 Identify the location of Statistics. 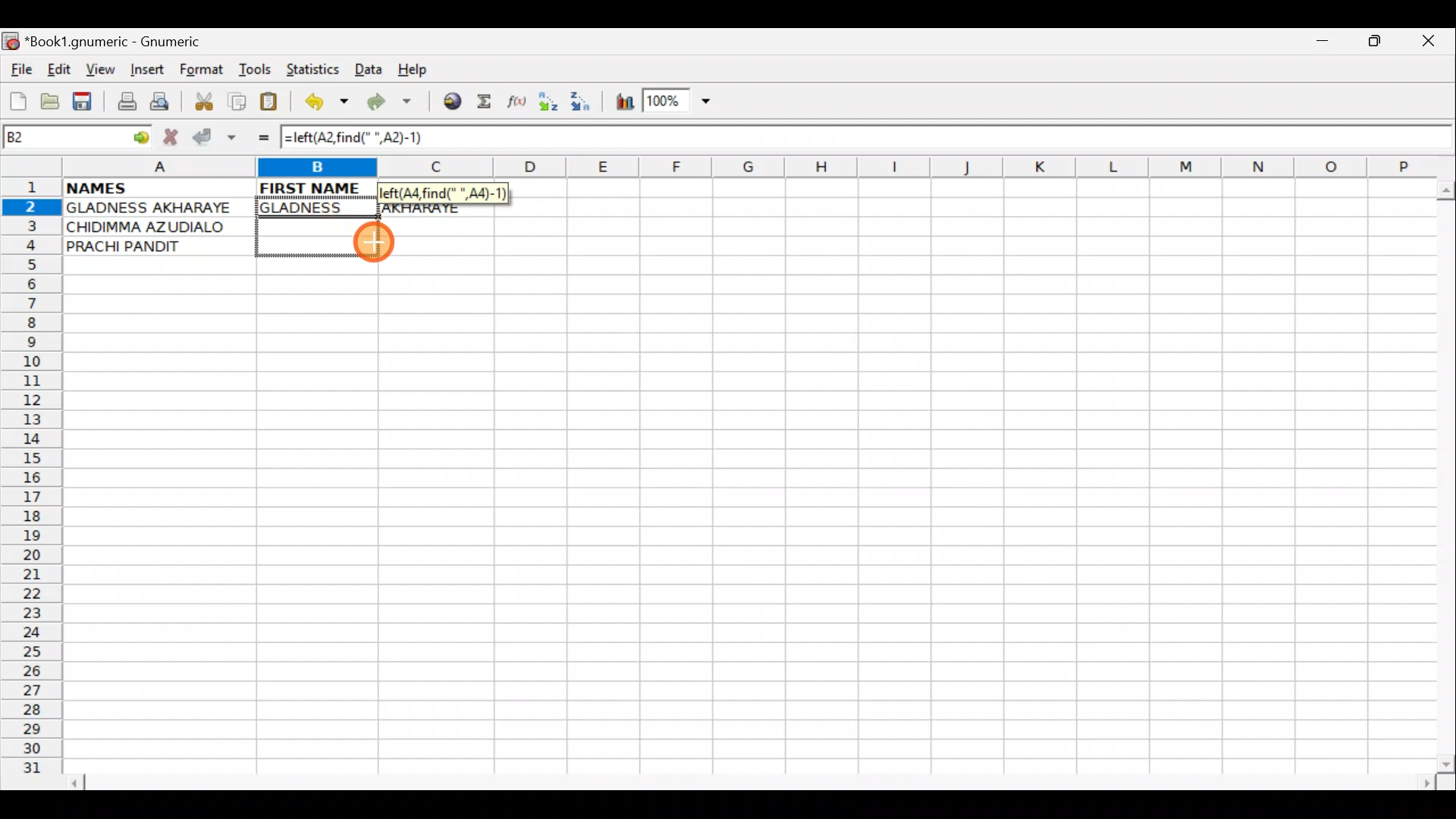
(315, 68).